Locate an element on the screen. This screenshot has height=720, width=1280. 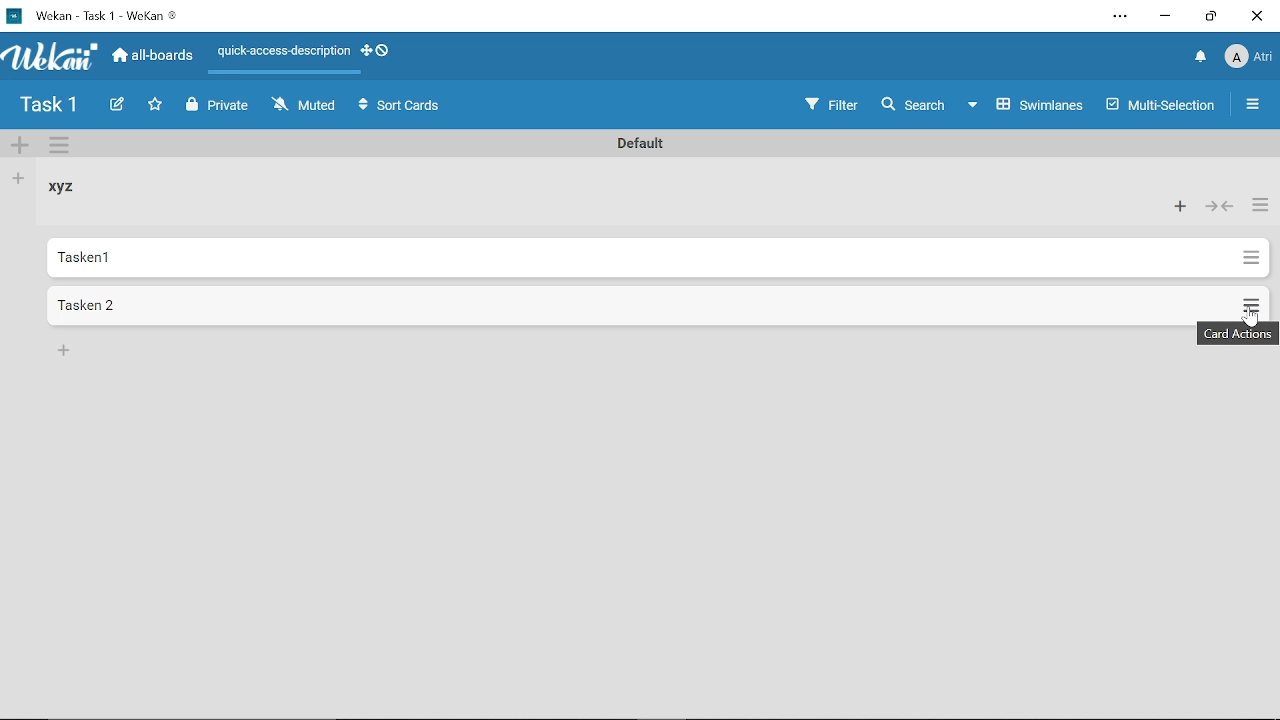
All Boards is located at coordinates (153, 58).